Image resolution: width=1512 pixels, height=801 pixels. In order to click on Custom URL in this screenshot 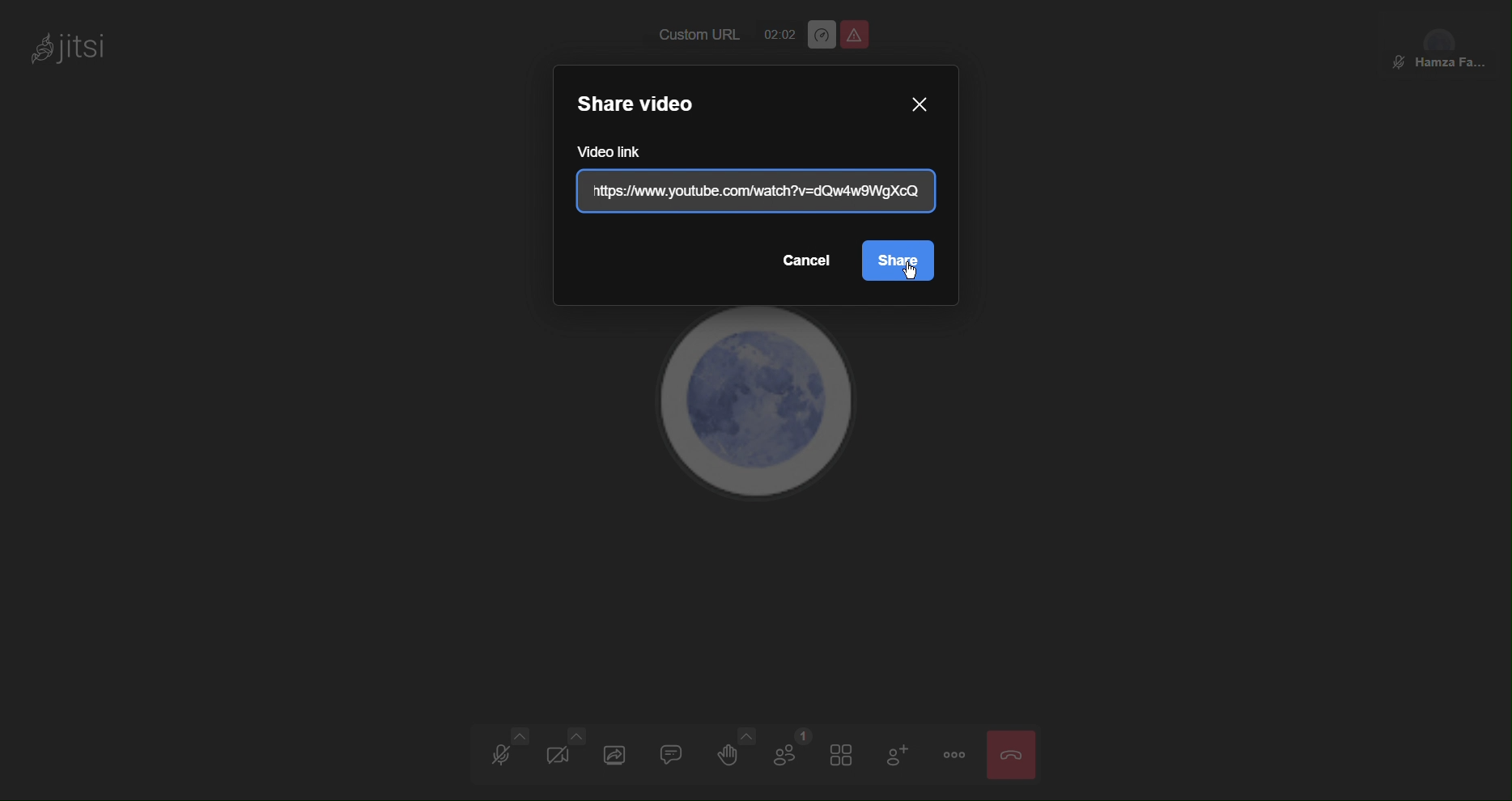, I will do `click(690, 36)`.